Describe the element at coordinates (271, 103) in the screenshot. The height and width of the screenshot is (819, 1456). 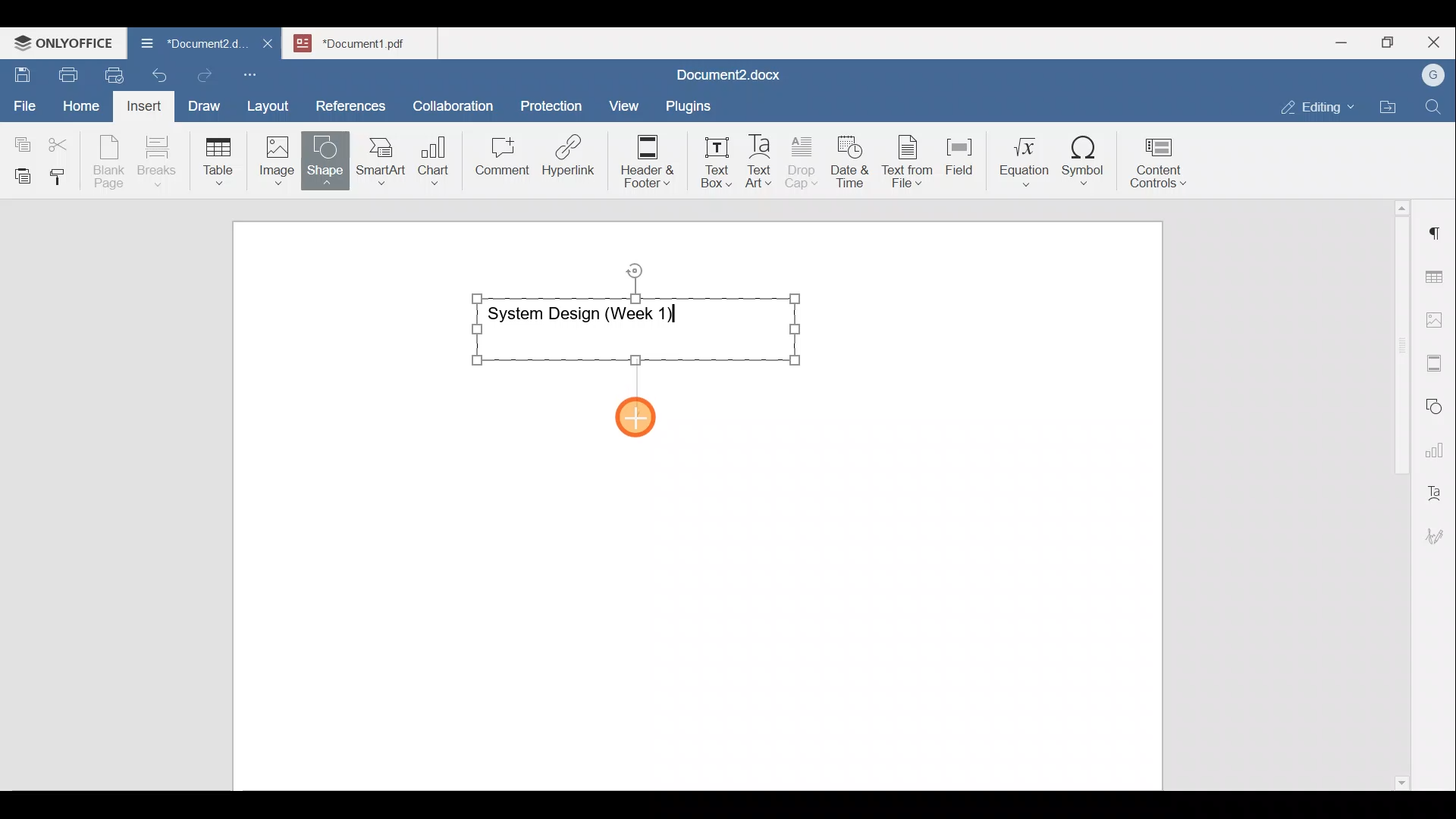
I see `Layout` at that location.